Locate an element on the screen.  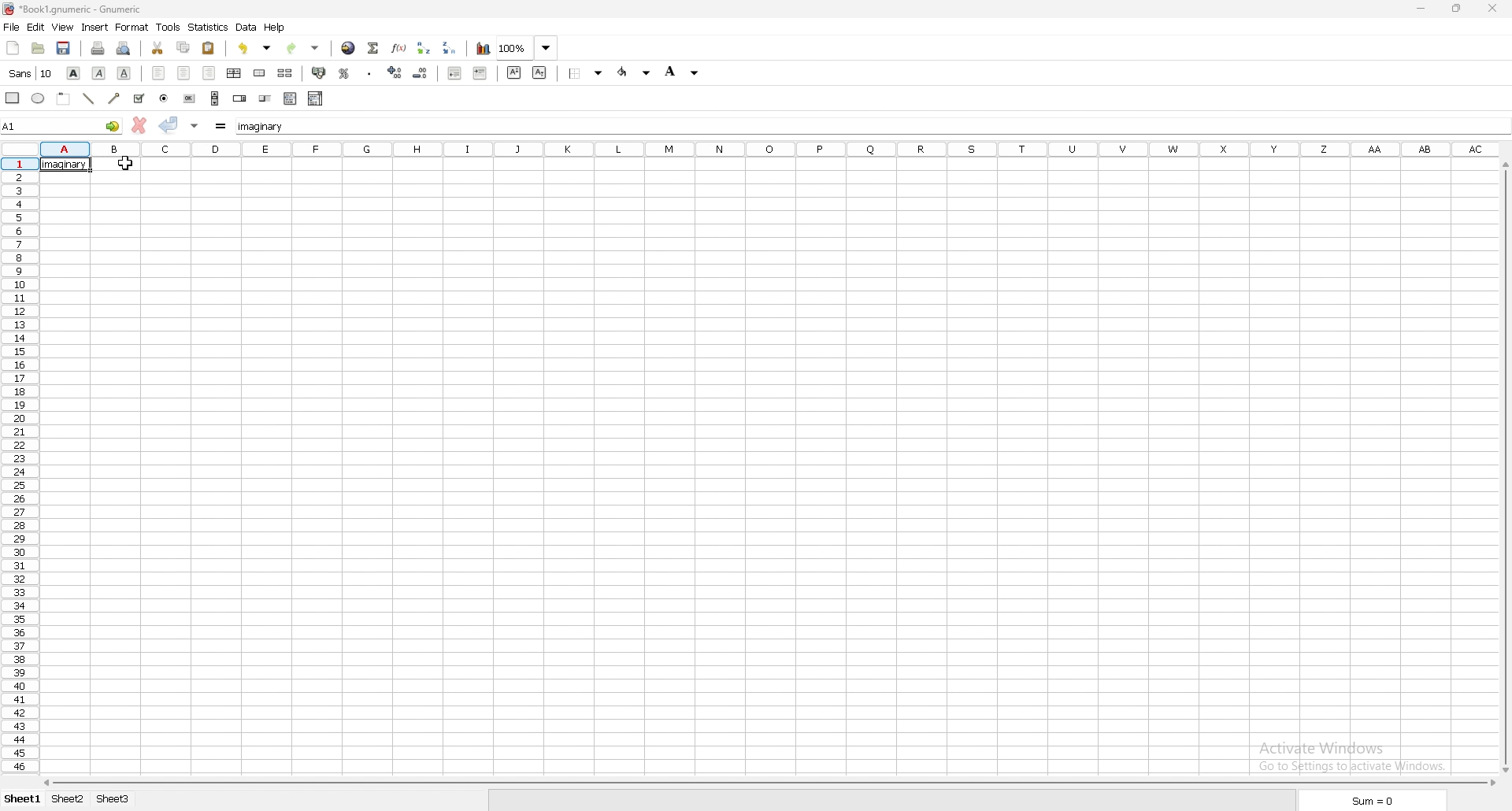
formula is located at coordinates (220, 127).